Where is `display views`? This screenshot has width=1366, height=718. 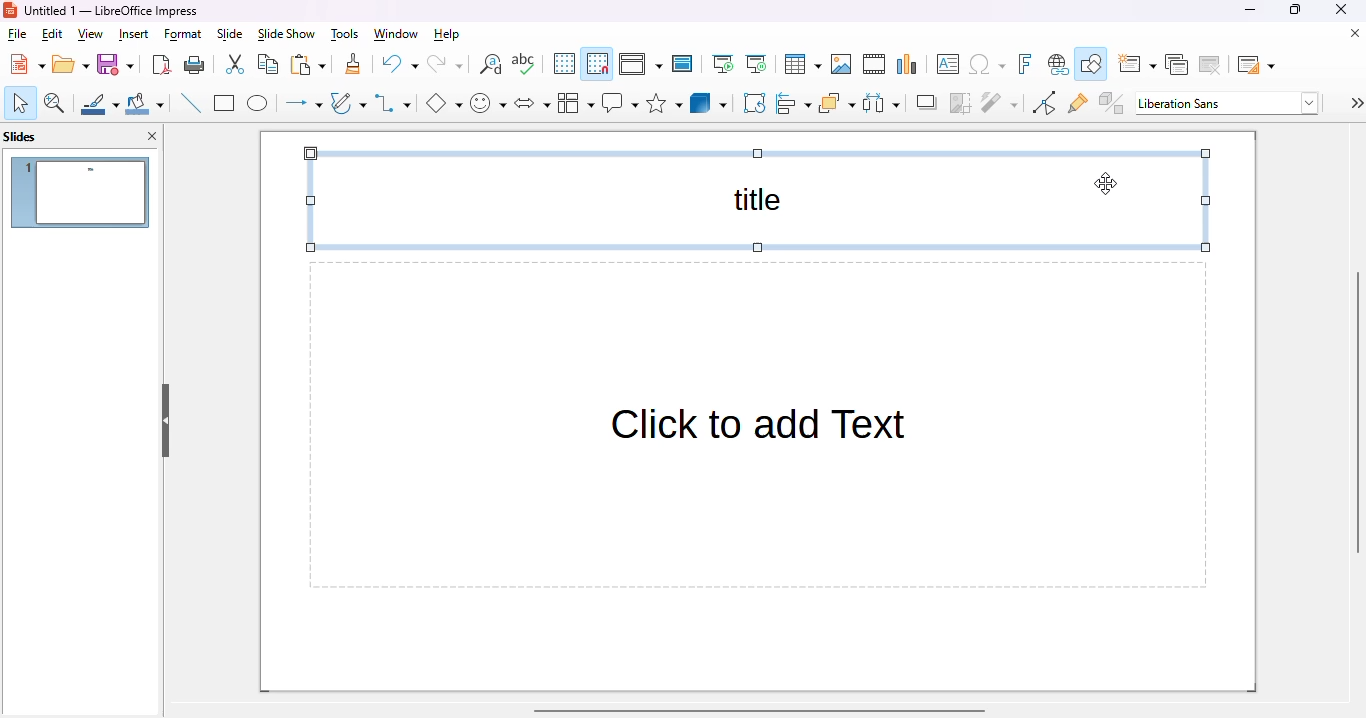
display views is located at coordinates (641, 64).